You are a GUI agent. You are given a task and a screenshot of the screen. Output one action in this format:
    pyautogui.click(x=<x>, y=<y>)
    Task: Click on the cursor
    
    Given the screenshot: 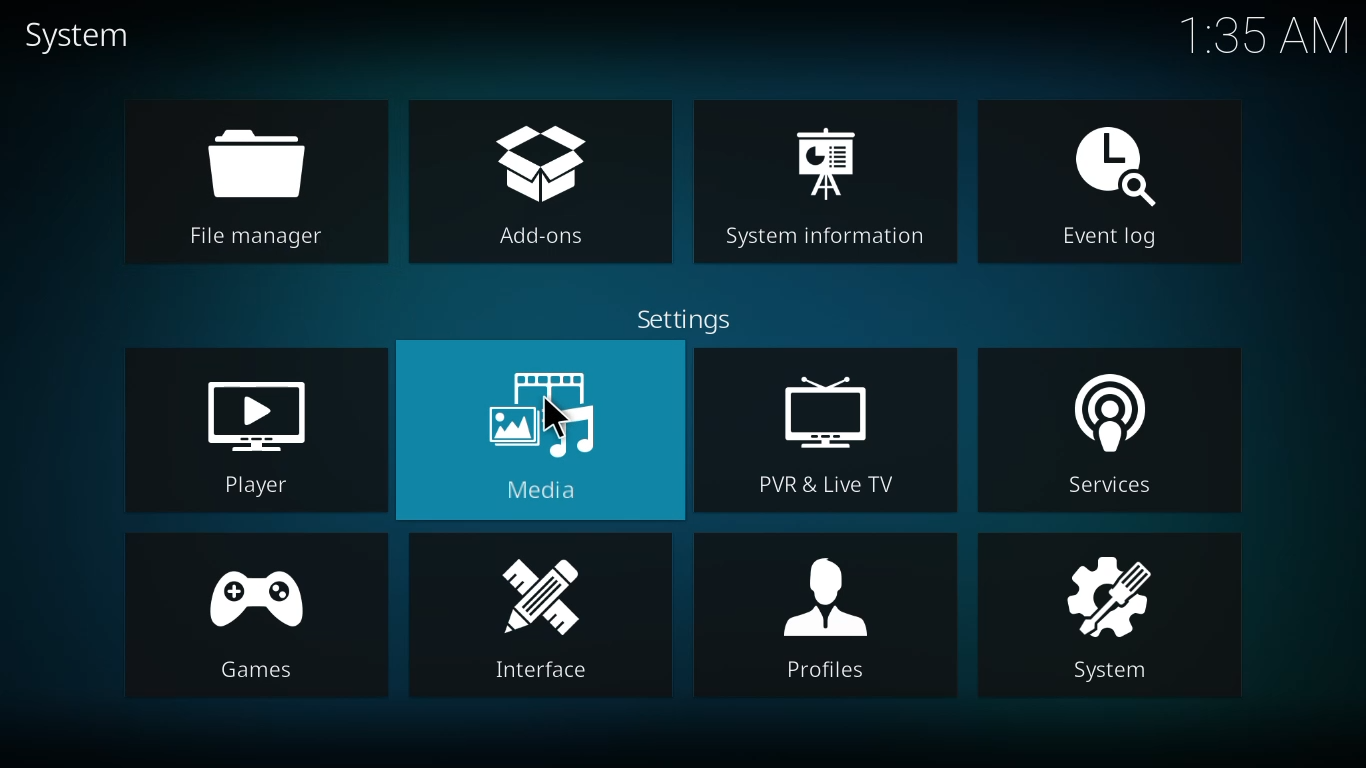 What is the action you would take?
    pyautogui.click(x=555, y=415)
    